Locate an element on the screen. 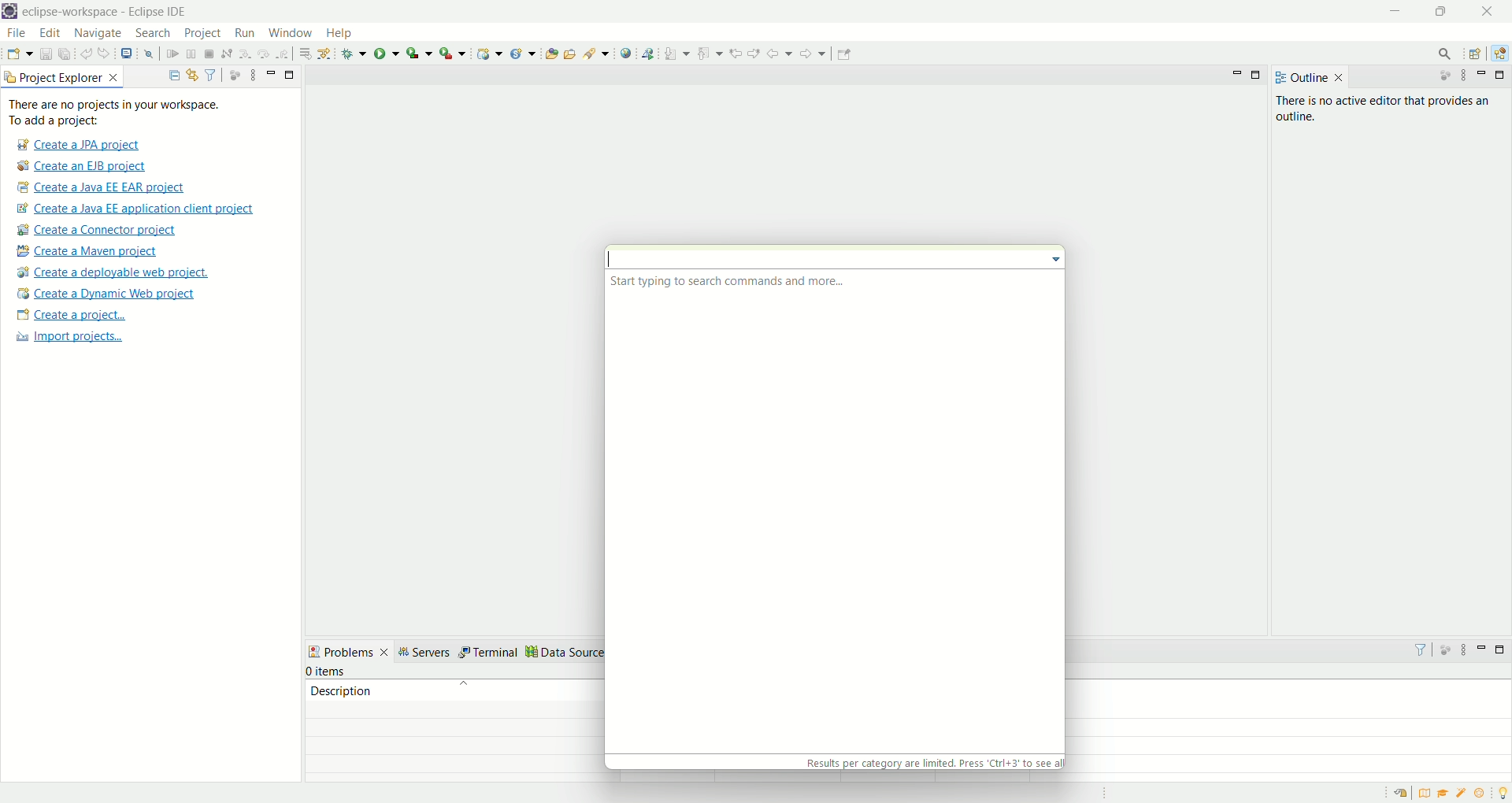 The width and height of the screenshot is (1512, 803). project is located at coordinates (204, 35).